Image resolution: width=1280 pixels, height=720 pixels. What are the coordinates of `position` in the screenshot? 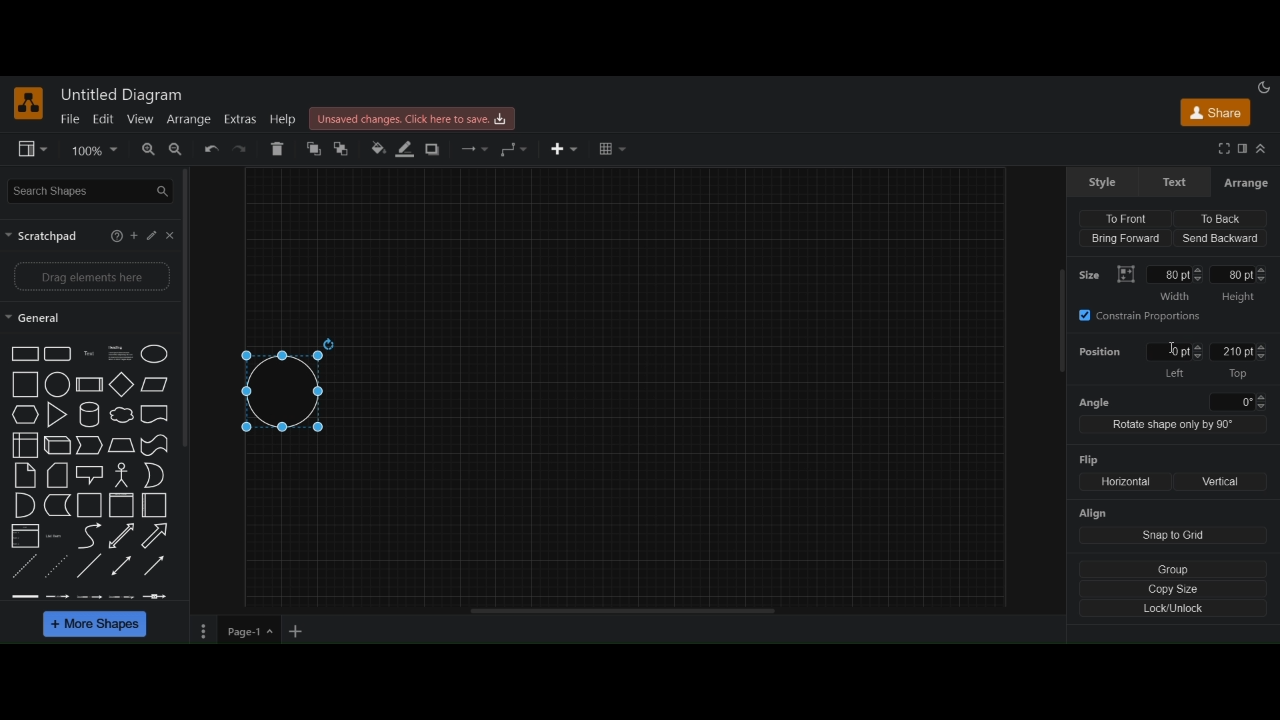 It's located at (1105, 353).